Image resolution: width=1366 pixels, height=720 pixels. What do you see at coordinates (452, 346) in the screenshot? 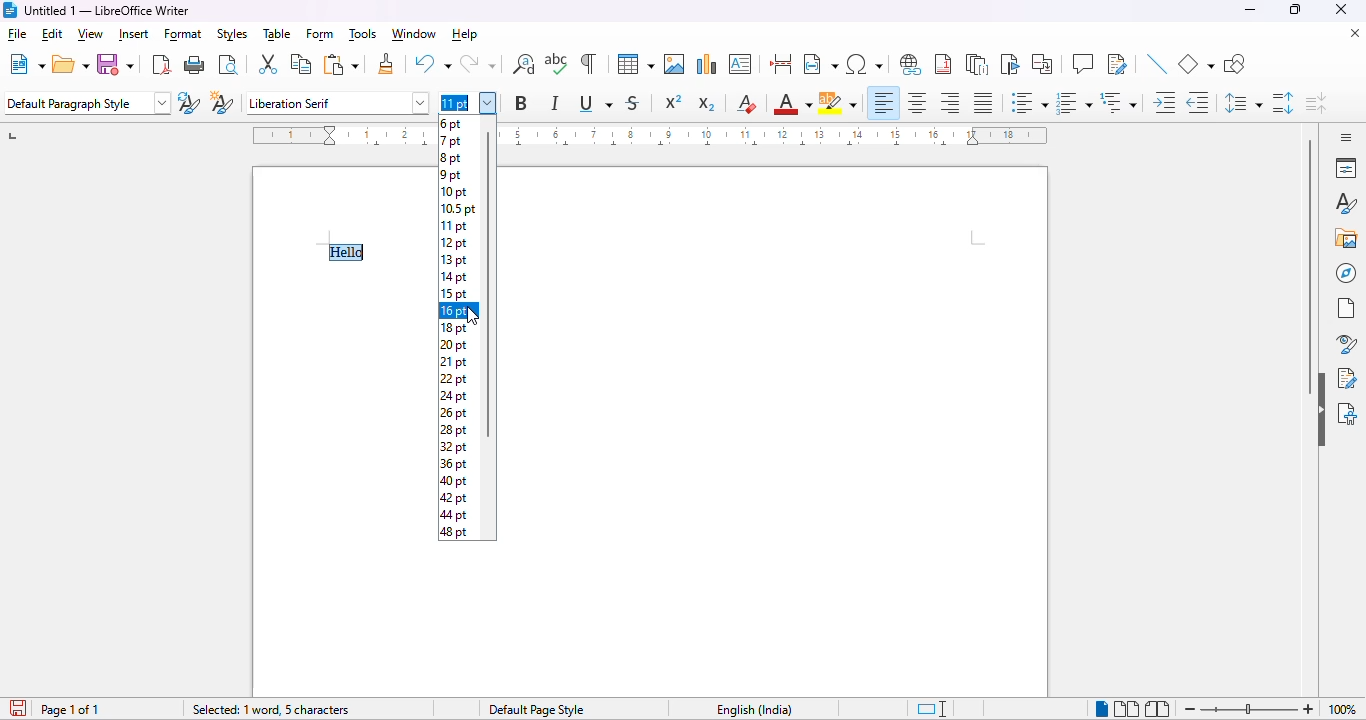
I see `20 pt` at bounding box center [452, 346].